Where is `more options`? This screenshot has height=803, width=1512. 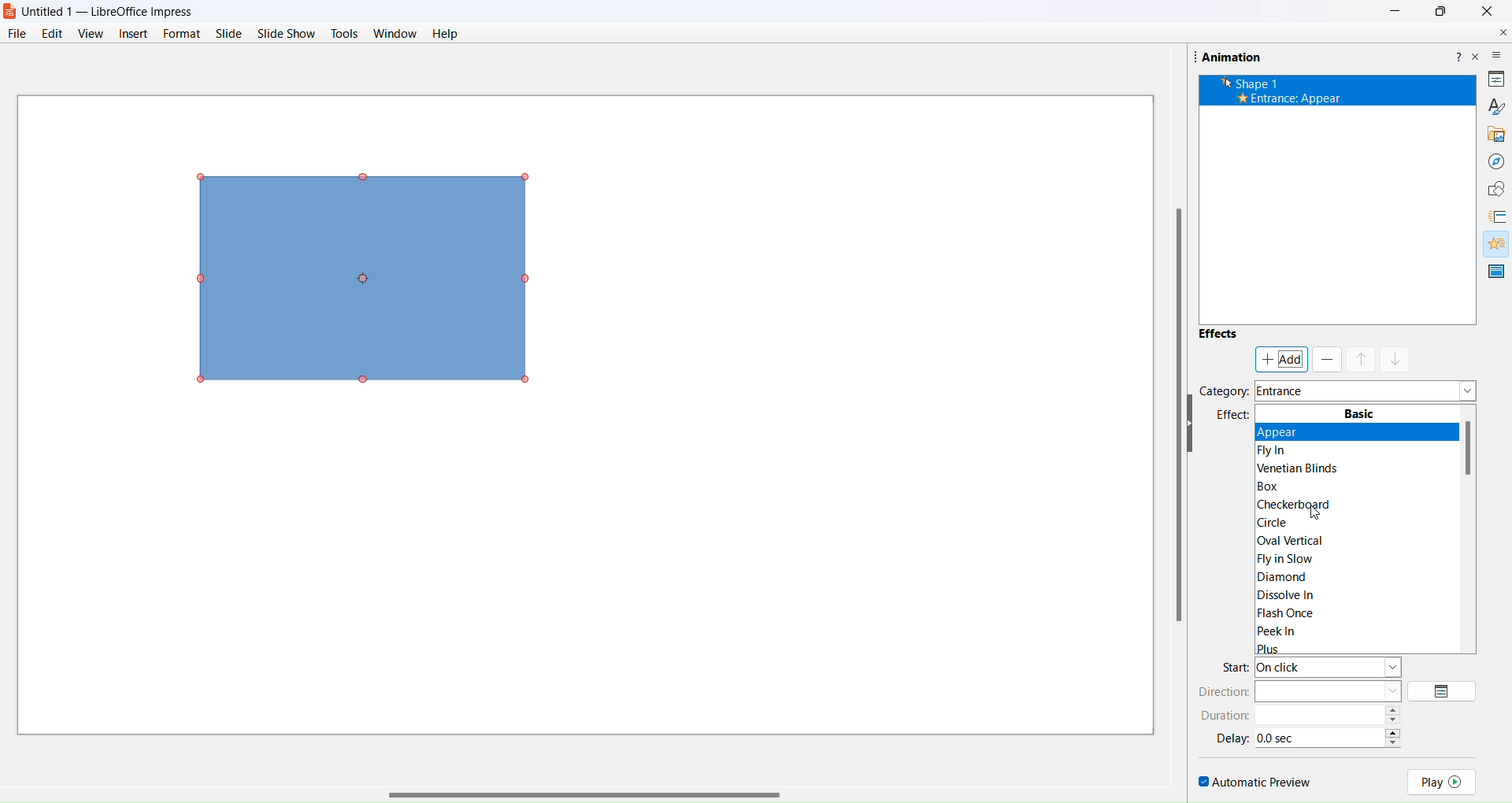
more options is located at coordinates (1497, 55).